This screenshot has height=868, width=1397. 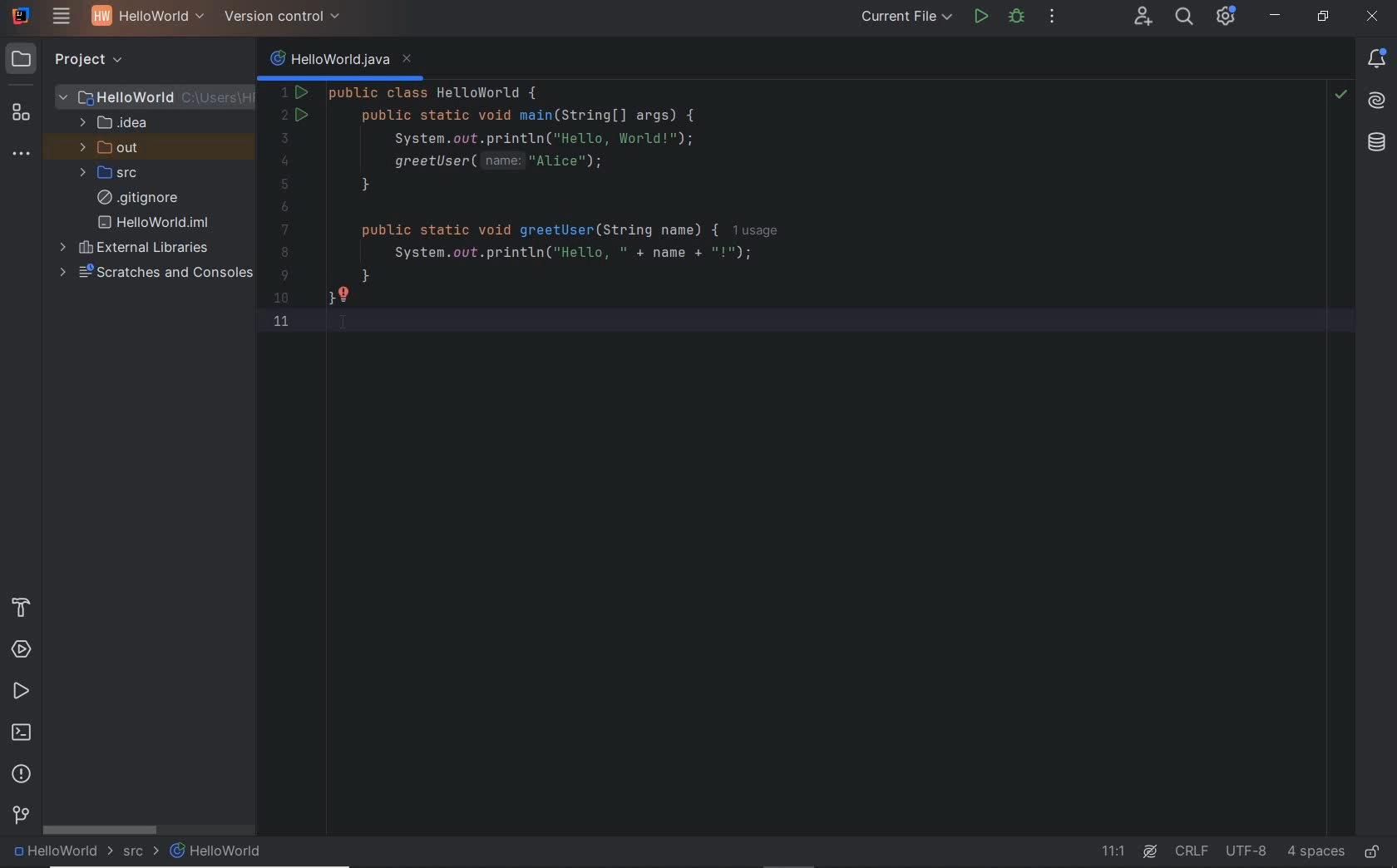 What do you see at coordinates (137, 199) in the screenshot?
I see `.gitignore` at bounding box center [137, 199].